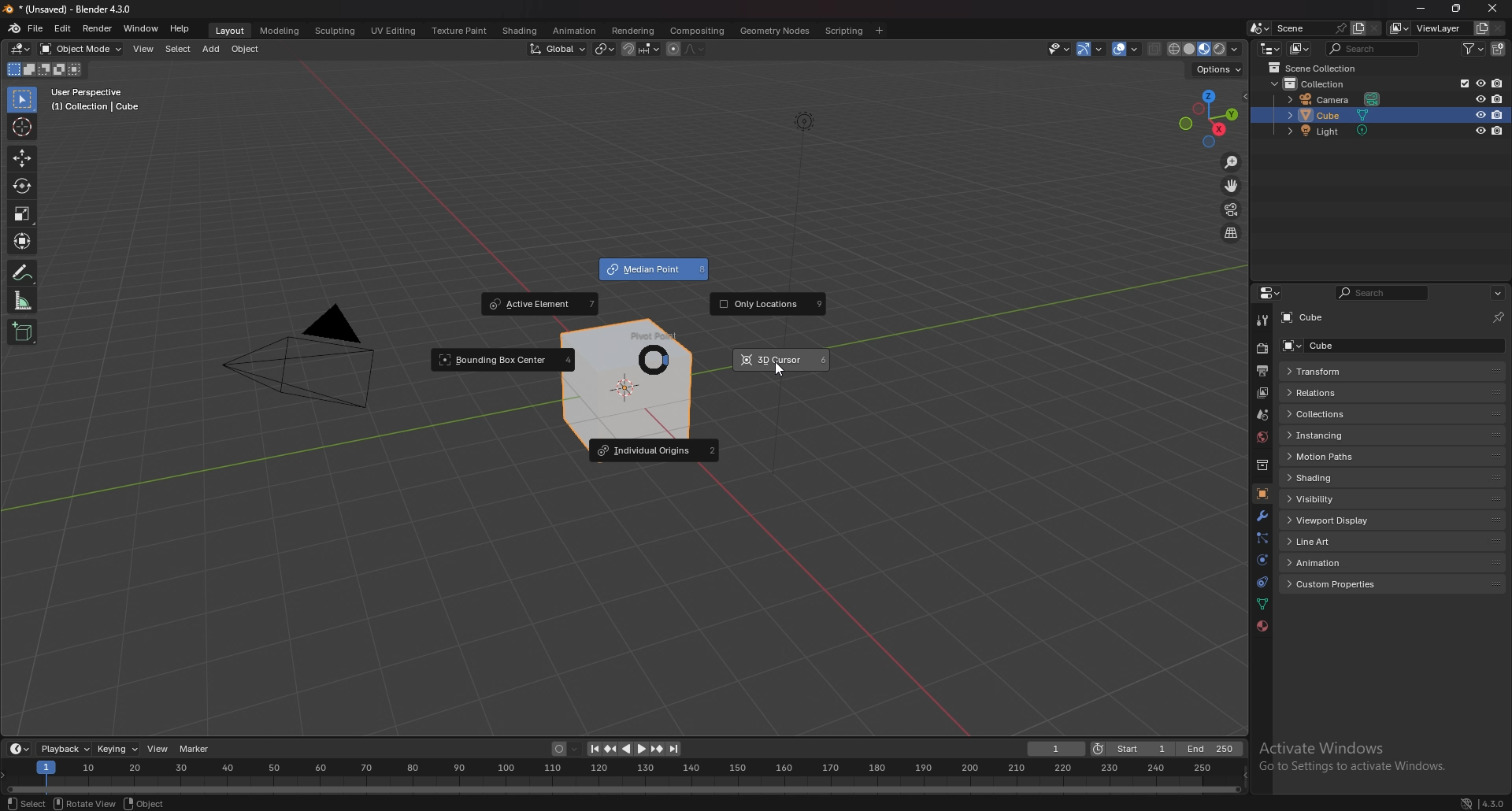  I want to click on animation, so click(1335, 562).